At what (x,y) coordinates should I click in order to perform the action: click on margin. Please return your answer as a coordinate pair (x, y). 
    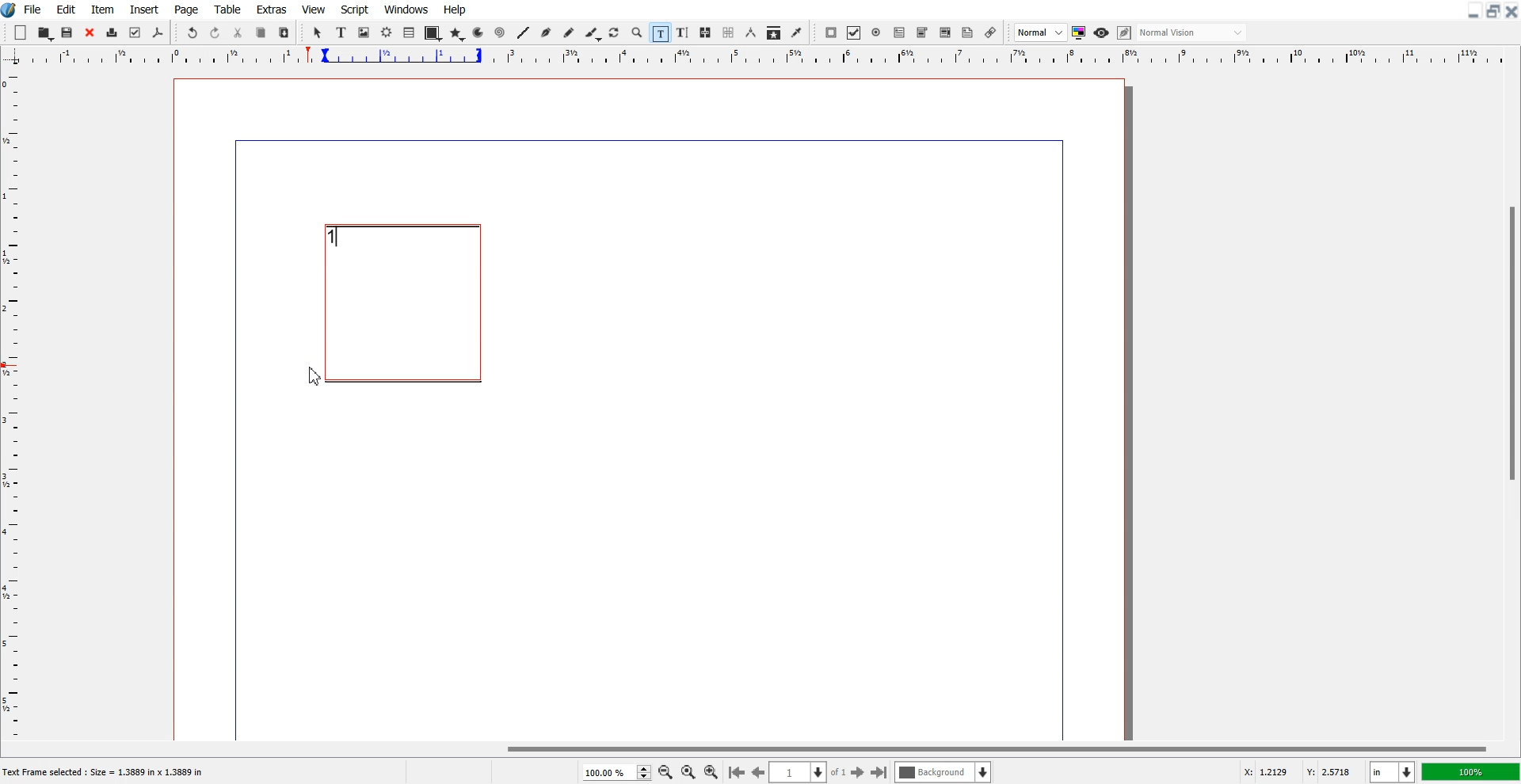
    Looking at the image, I should click on (232, 443).